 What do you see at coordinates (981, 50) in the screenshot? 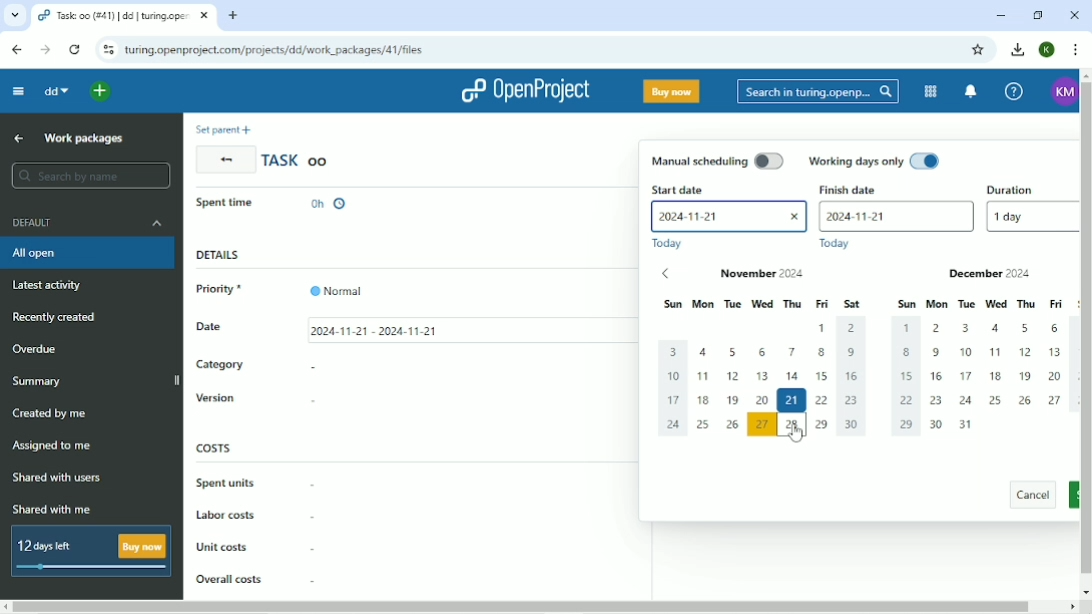
I see `Bookmark this tab` at bounding box center [981, 50].